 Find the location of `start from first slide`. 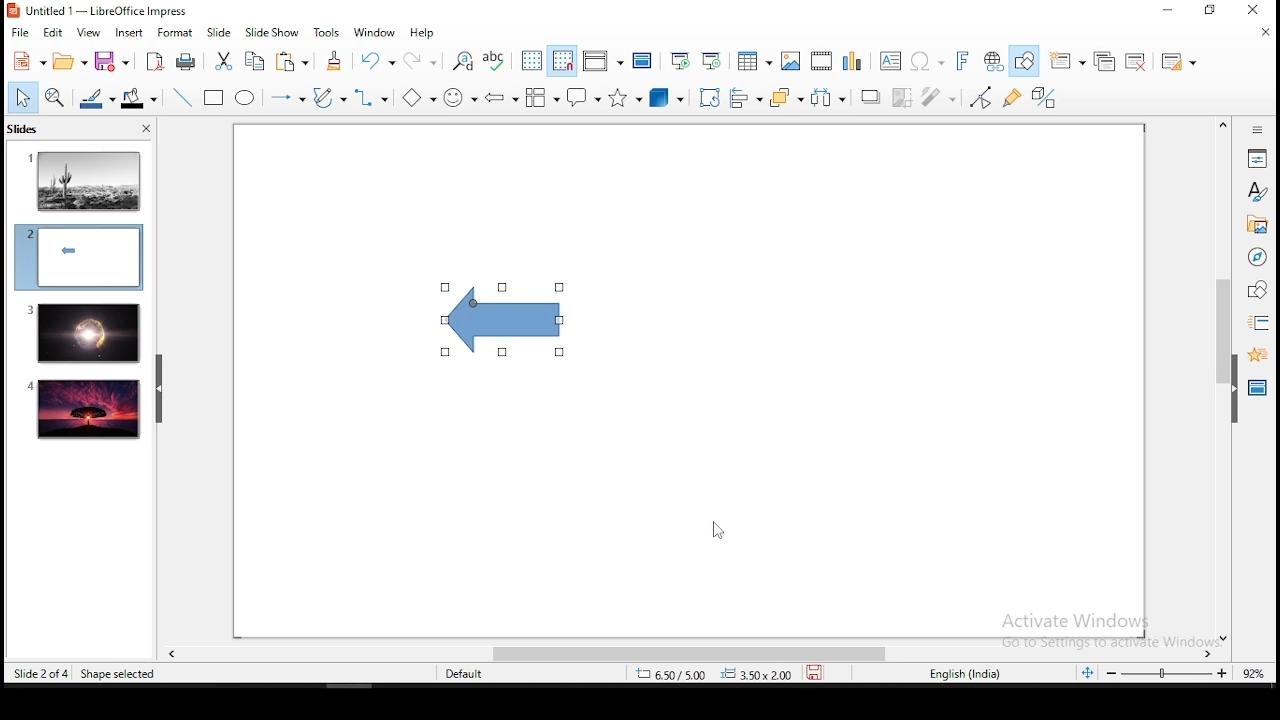

start from first slide is located at coordinates (680, 61).